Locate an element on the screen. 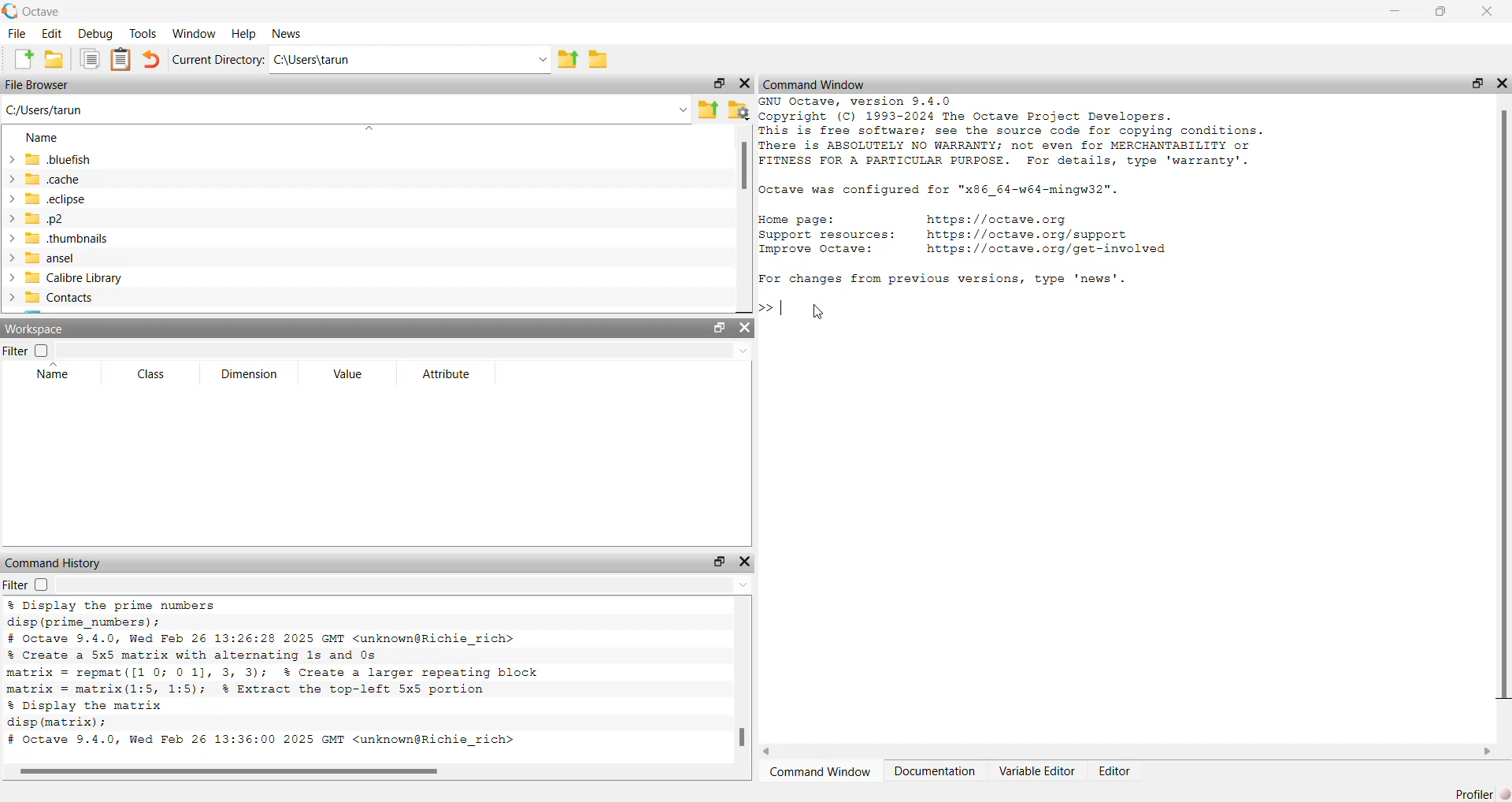 This screenshot has height=802, width=1512. prompt cursor is located at coordinates (765, 306).